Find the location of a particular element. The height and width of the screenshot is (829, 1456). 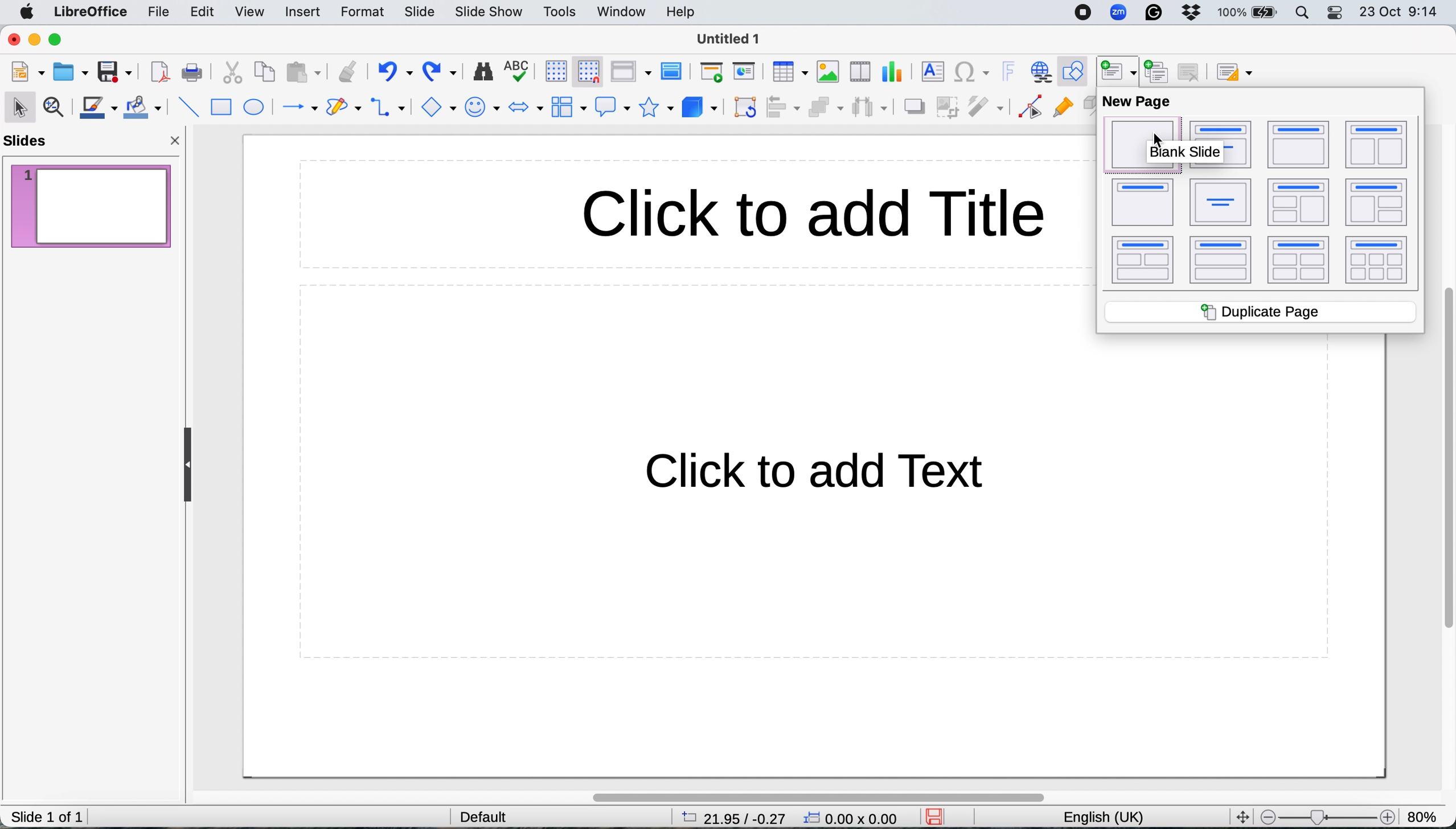

libreoffice is located at coordinates (89, 12).